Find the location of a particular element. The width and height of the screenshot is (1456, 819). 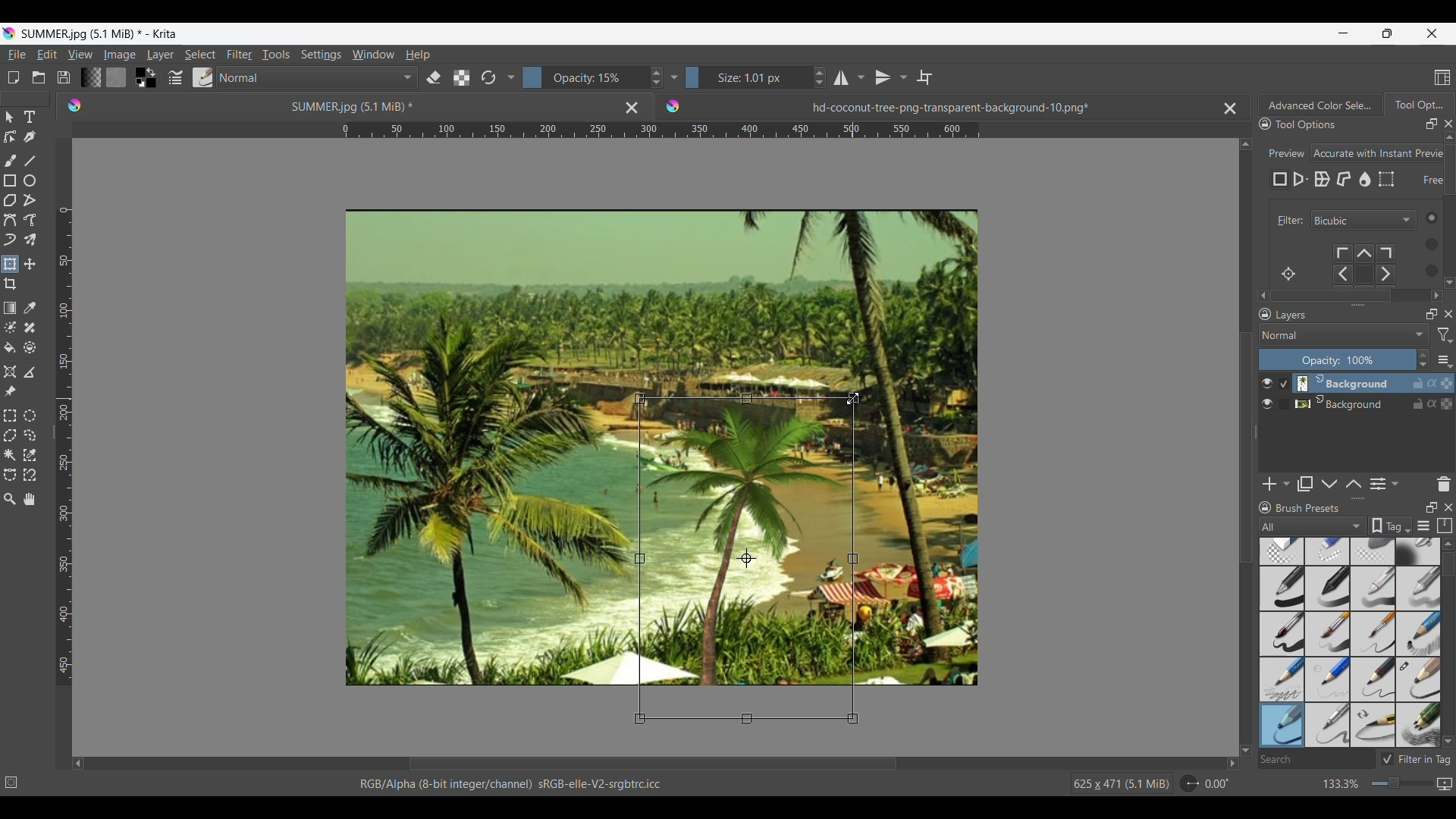

basic 5 - size opacity is located at coordinates (1329, 634).